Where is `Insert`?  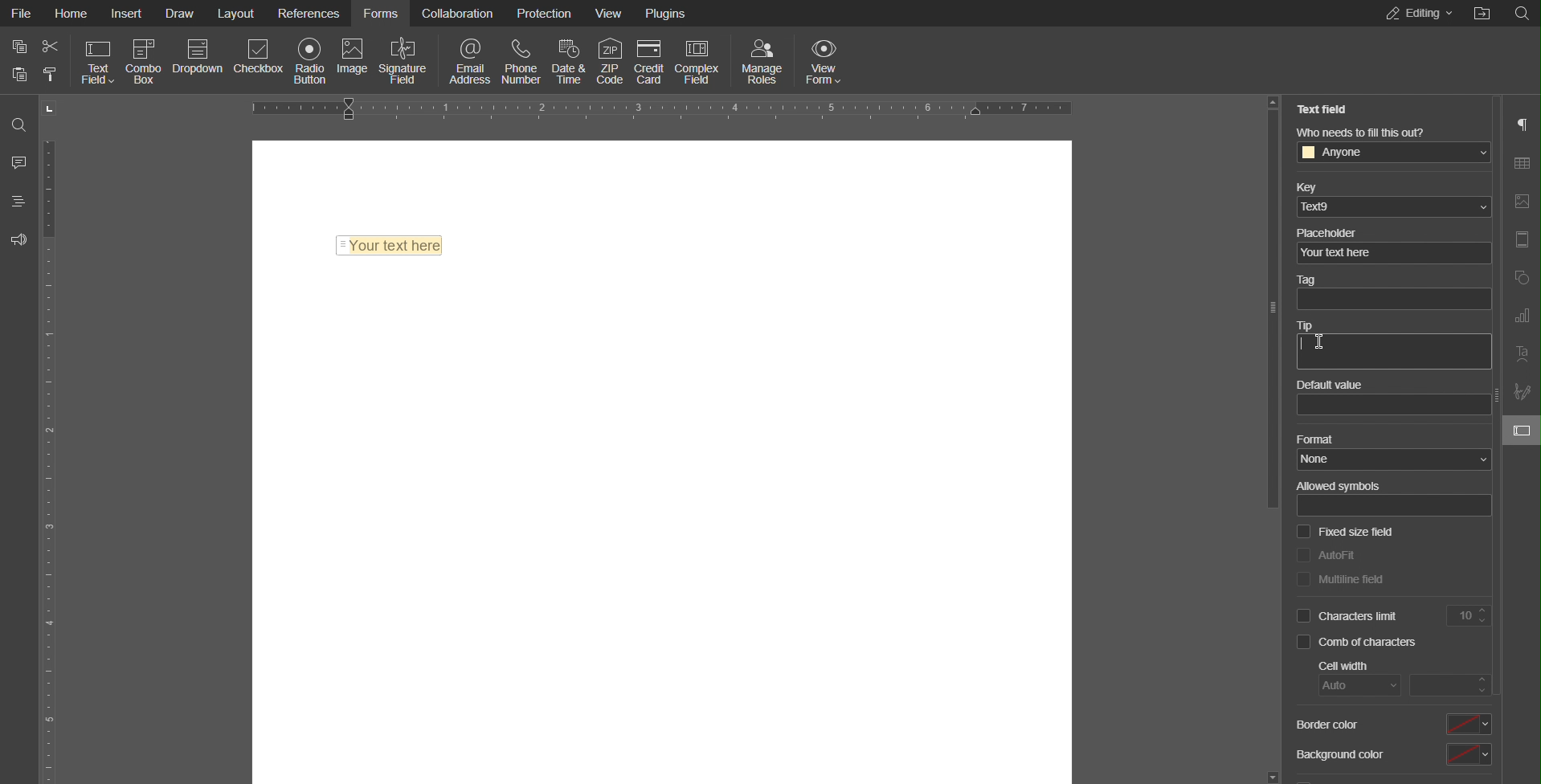
Insert is located at coordinates (125, 12).